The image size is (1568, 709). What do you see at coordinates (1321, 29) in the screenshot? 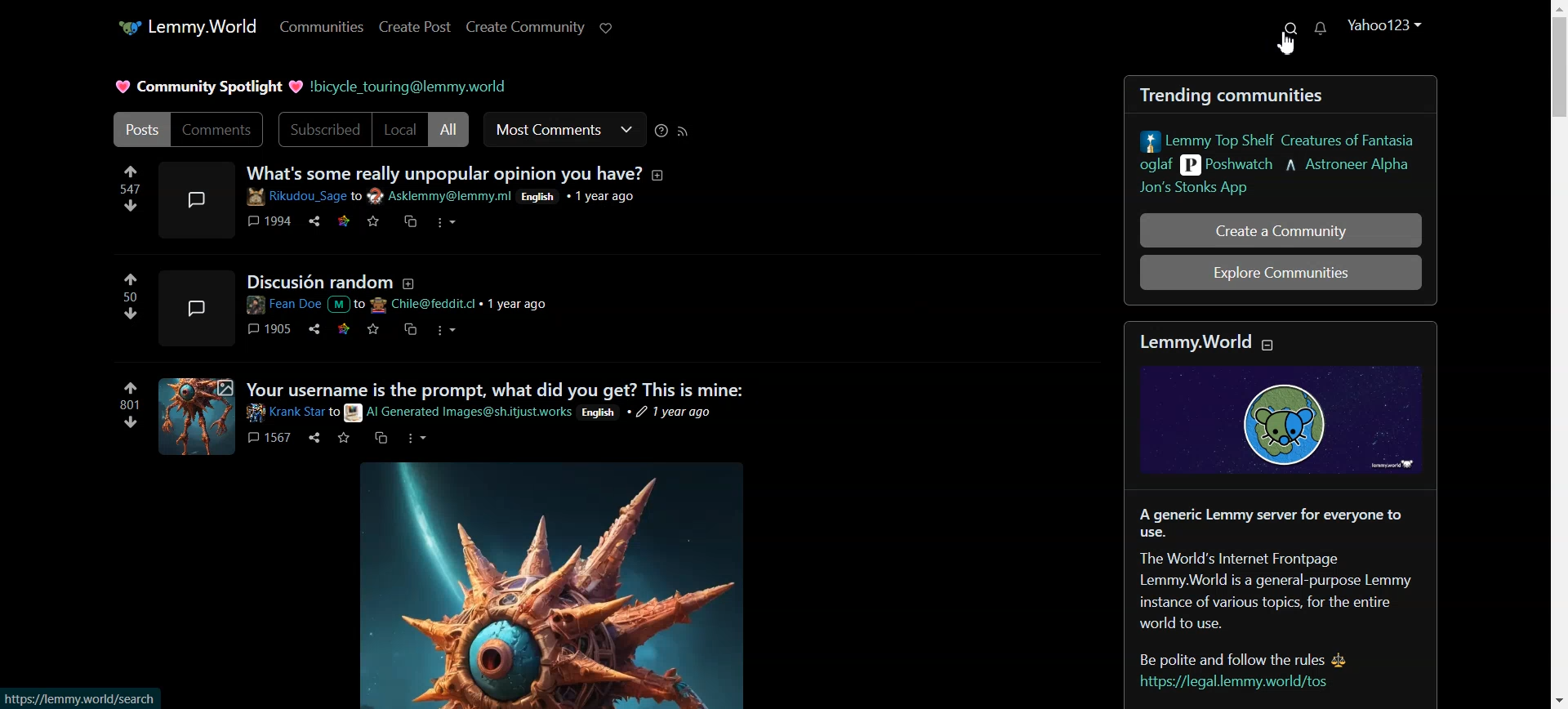
I see `Unread Message` at bounding box center [1321, 29].